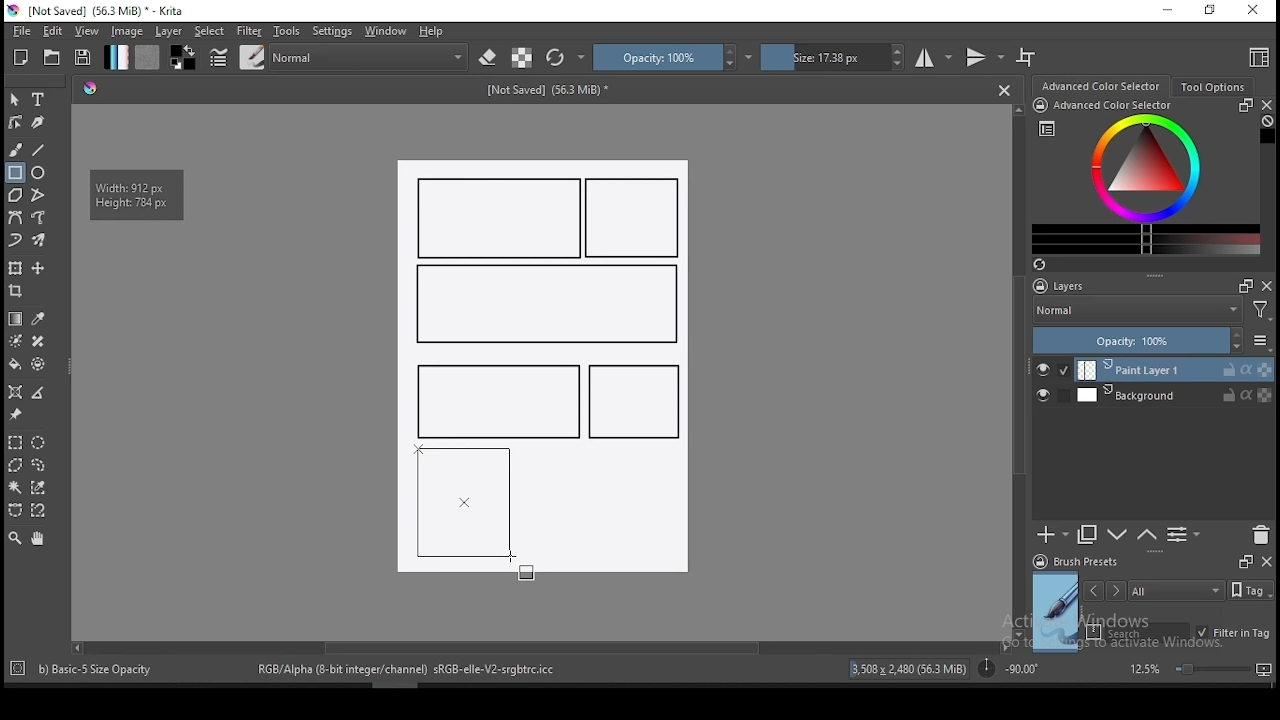 This screenshot has height=720, width=1280. What do you see at coordinates (1240, 285) in the screenshot?
I see `Frames` at bounding box center [1240, 285].